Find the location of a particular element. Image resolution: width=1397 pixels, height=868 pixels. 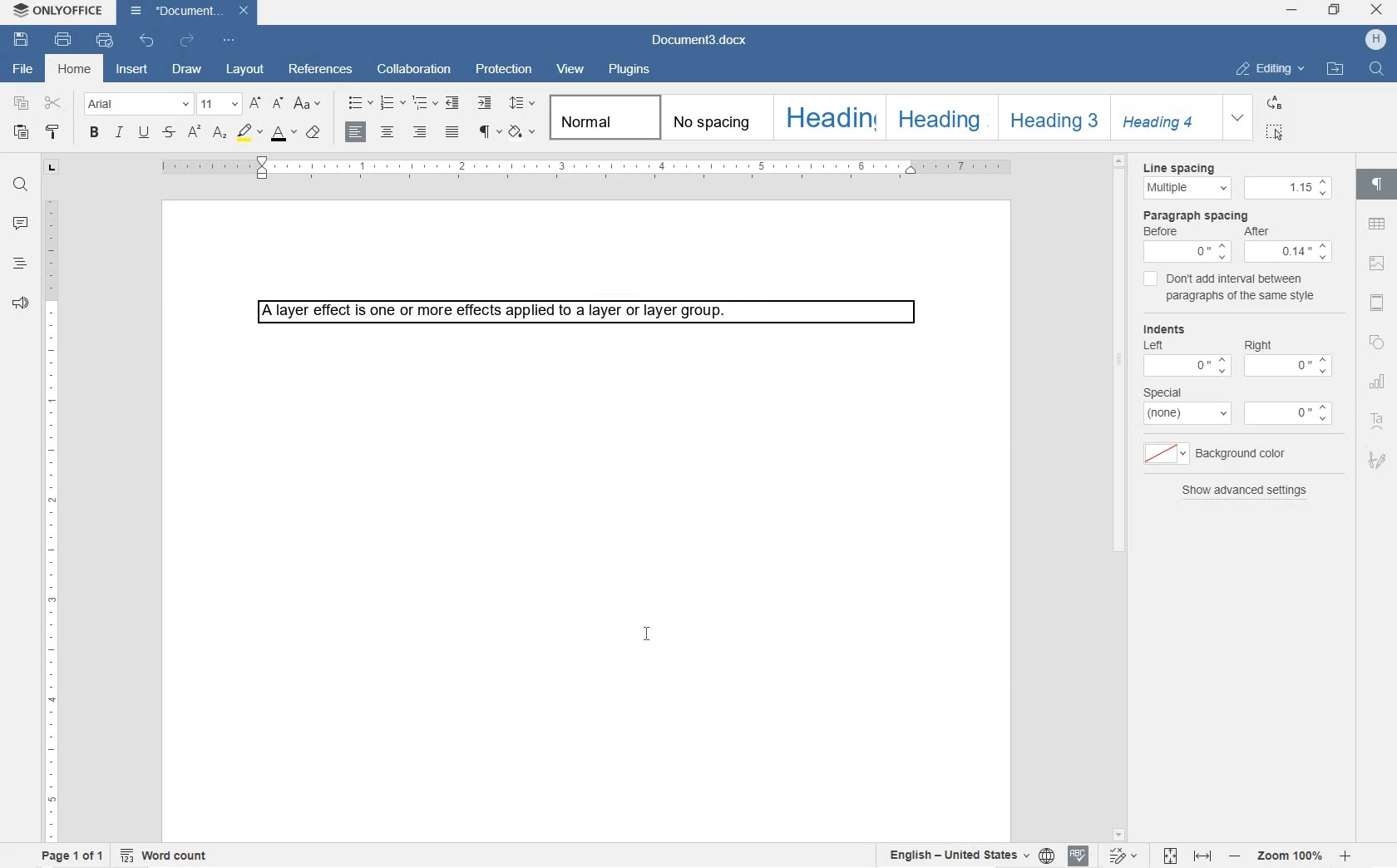

background color is located at coordinates (1224, 453).